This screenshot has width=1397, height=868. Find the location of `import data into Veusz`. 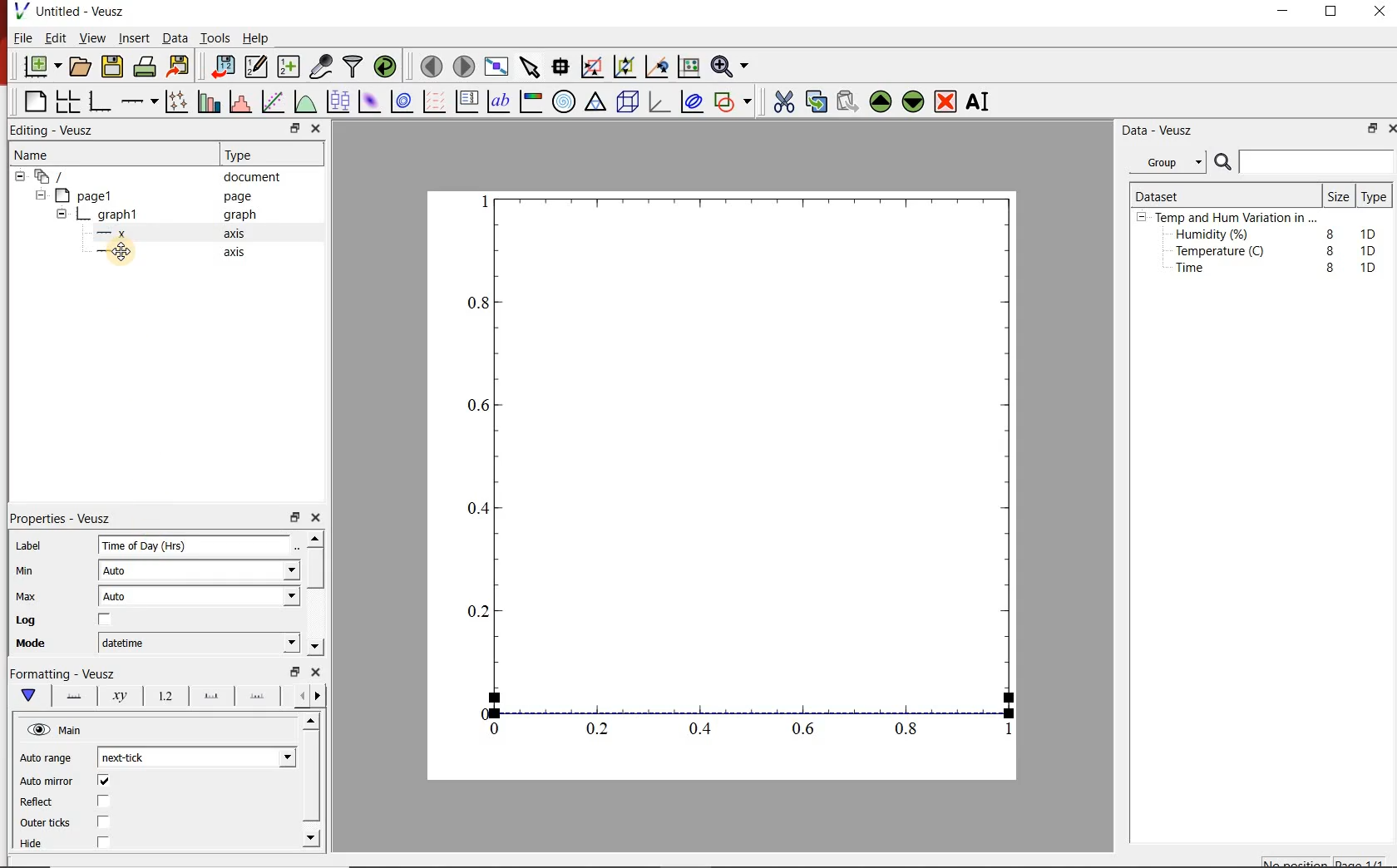

import data into Veusz is located at coordinates (222, 65).